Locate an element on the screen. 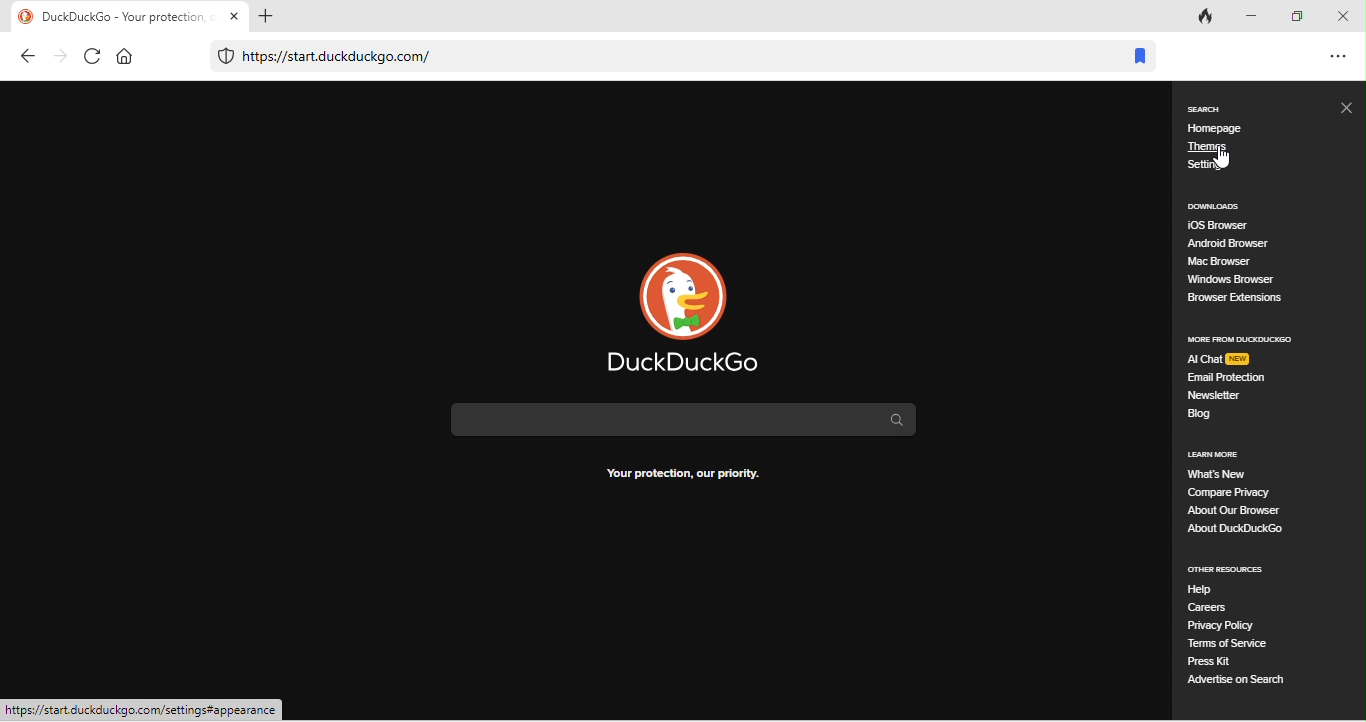  what's new is located at coordinates (1214, 474).